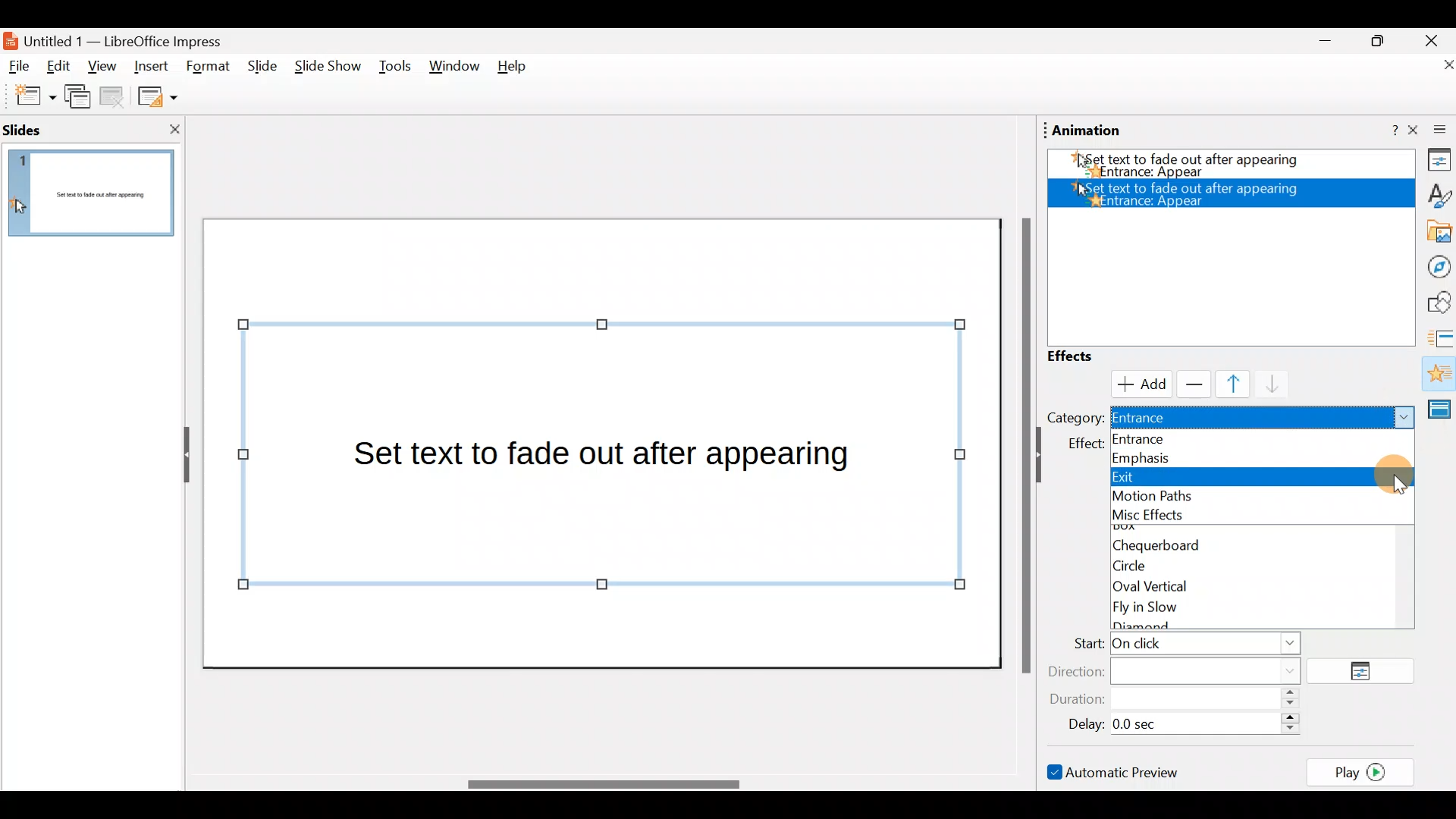 This screenshot has height=819, width=1456. Describe the element at coordinates (1441, 337) in the screenshot. I see `Slides transition` at that location.